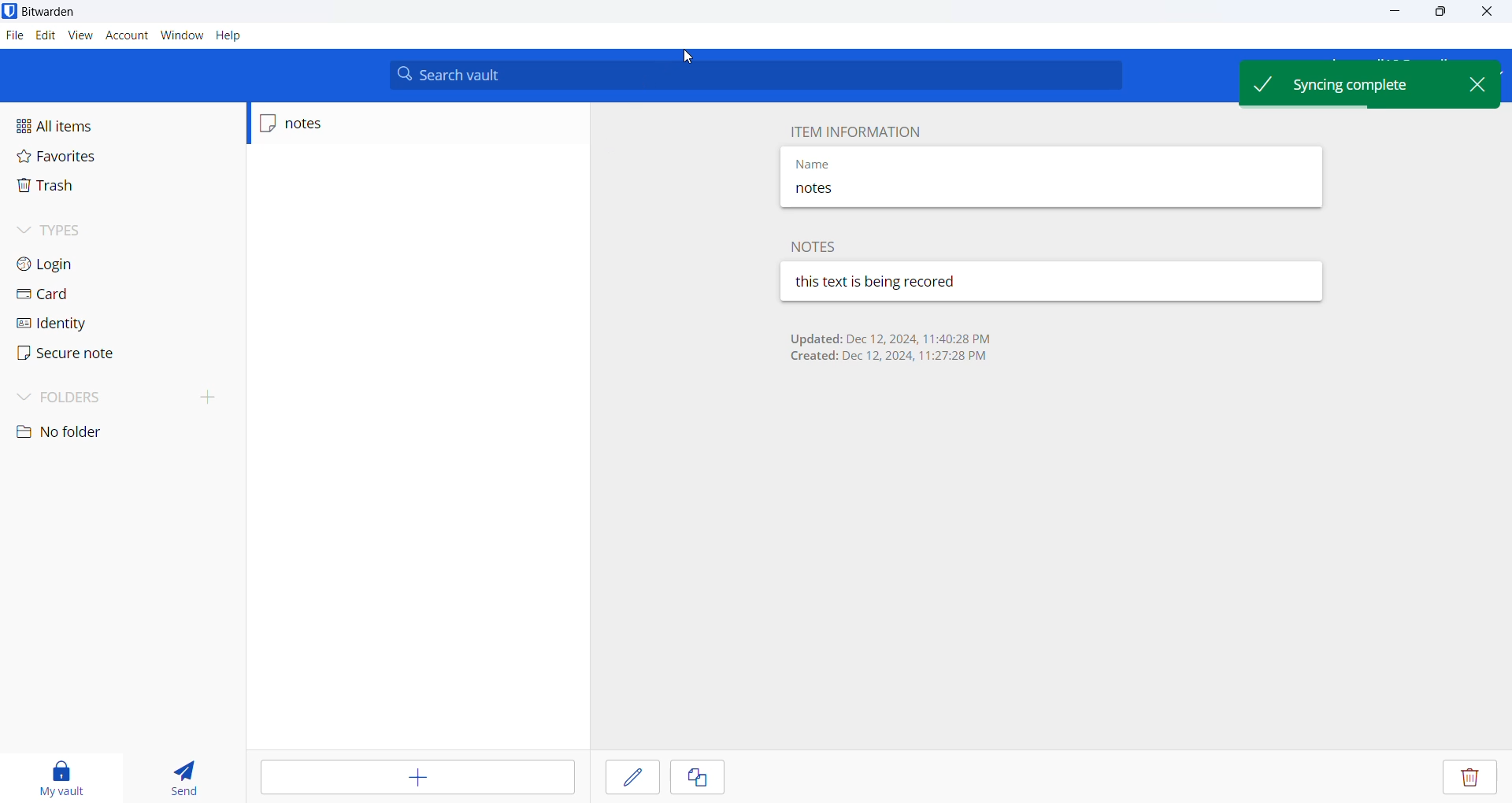 The height and width of the screenshot is (803, 1512). I want to click on edit, so click(632, 776).